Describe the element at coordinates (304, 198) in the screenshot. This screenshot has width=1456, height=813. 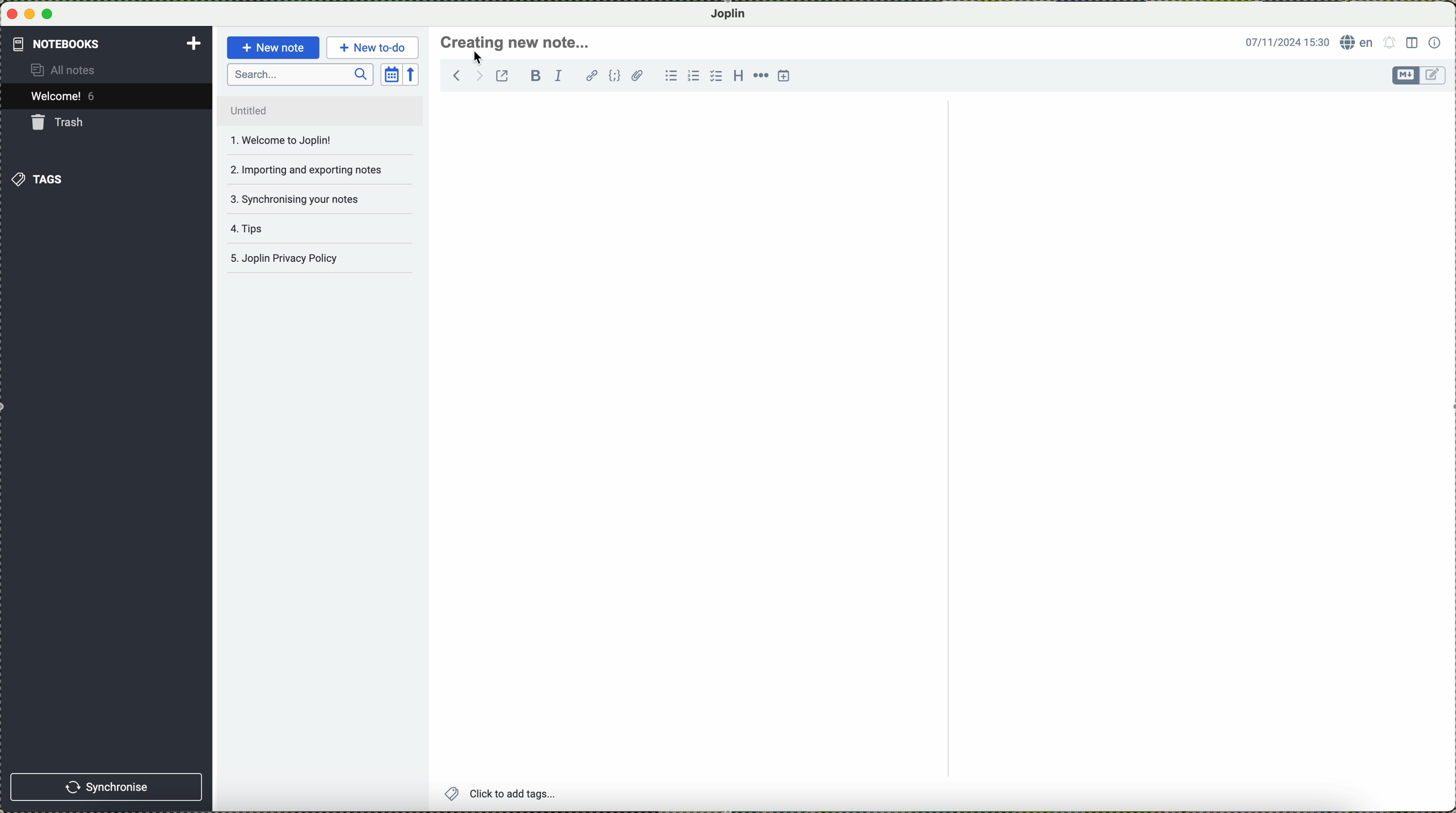
I see `synchronising your notes` at that location.